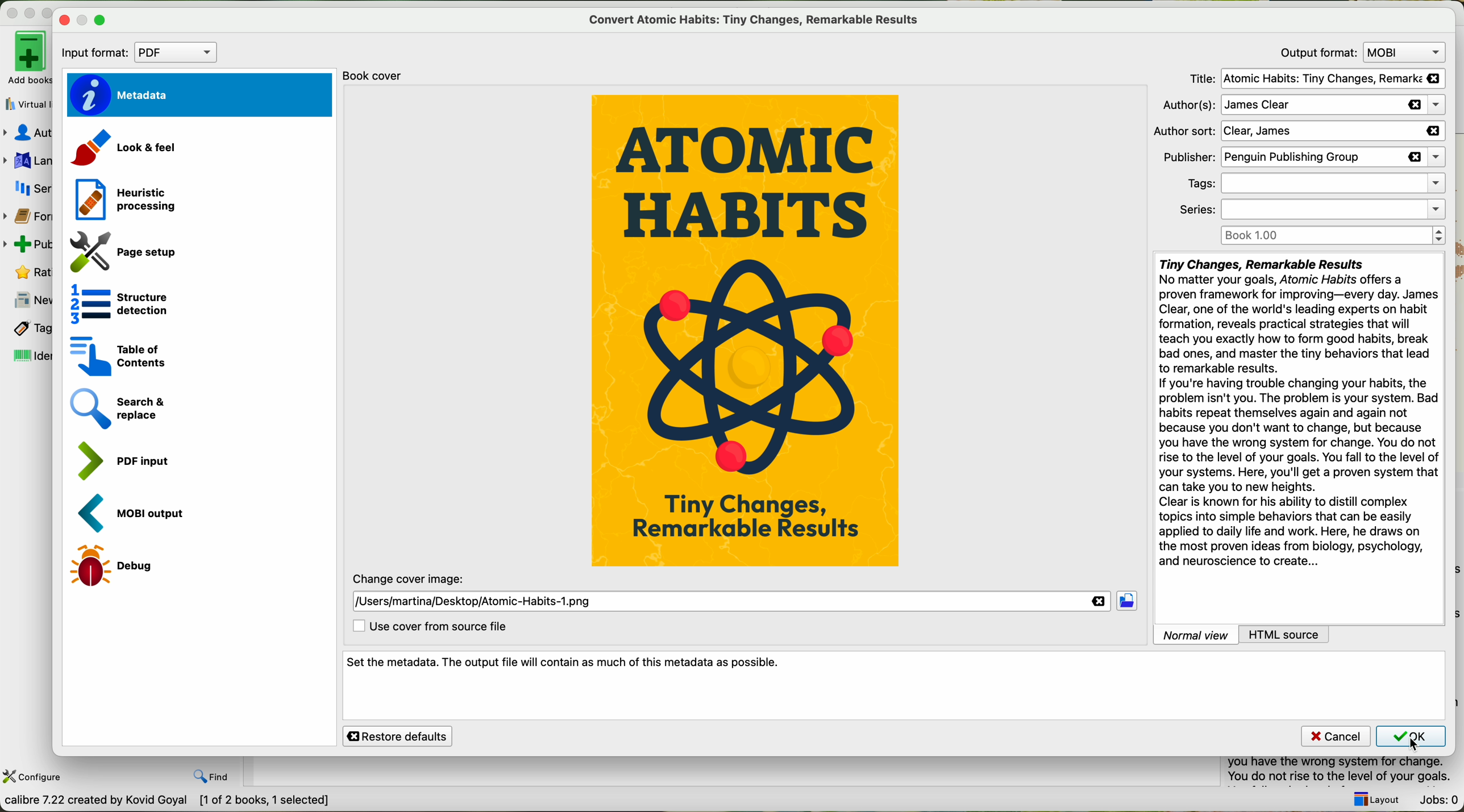 This screenshot has height=812, width=1464. I want to click on click on folder location, so click(1127, 603).